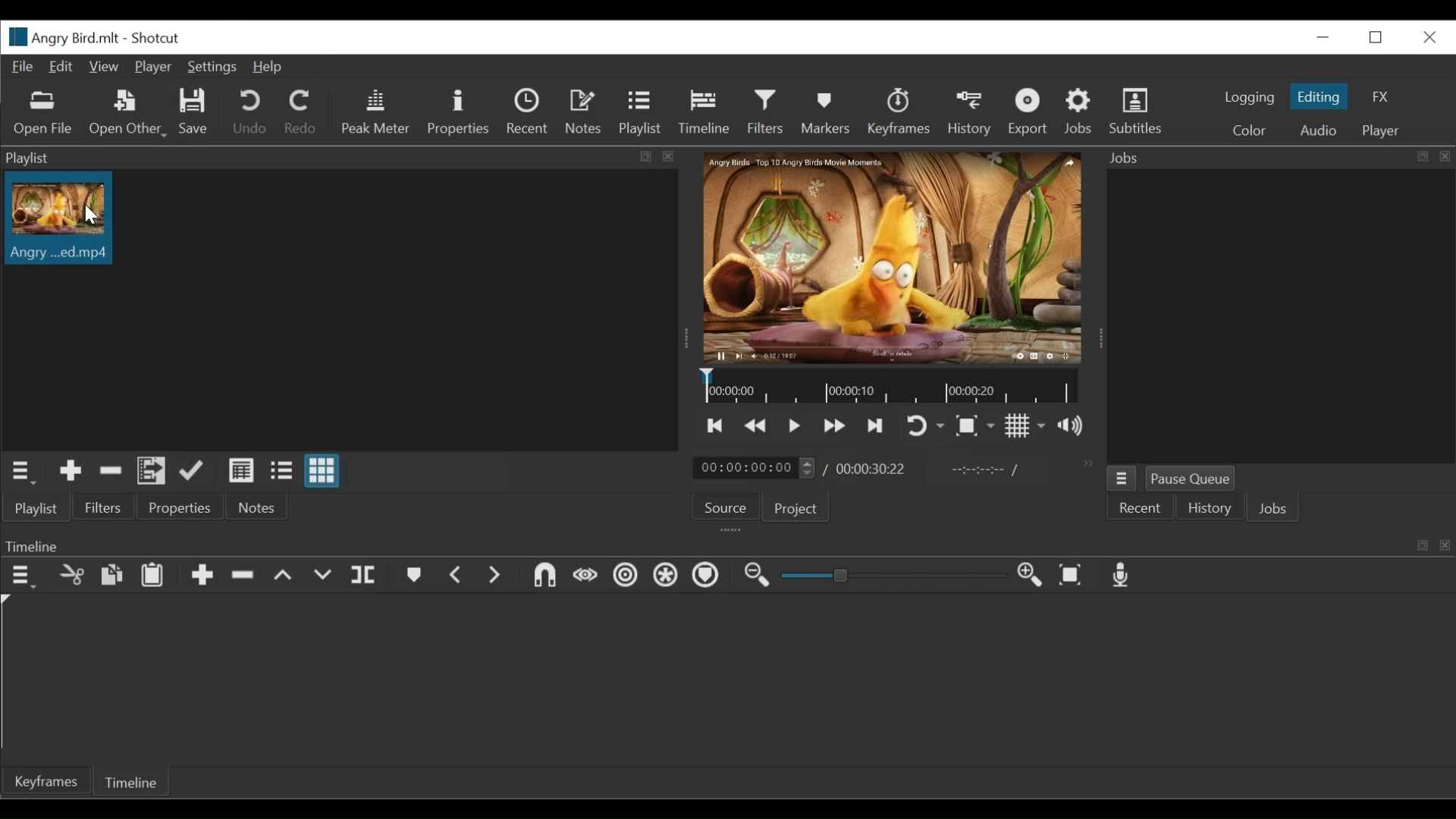  I want to click on previous marker, so click(457, 575).